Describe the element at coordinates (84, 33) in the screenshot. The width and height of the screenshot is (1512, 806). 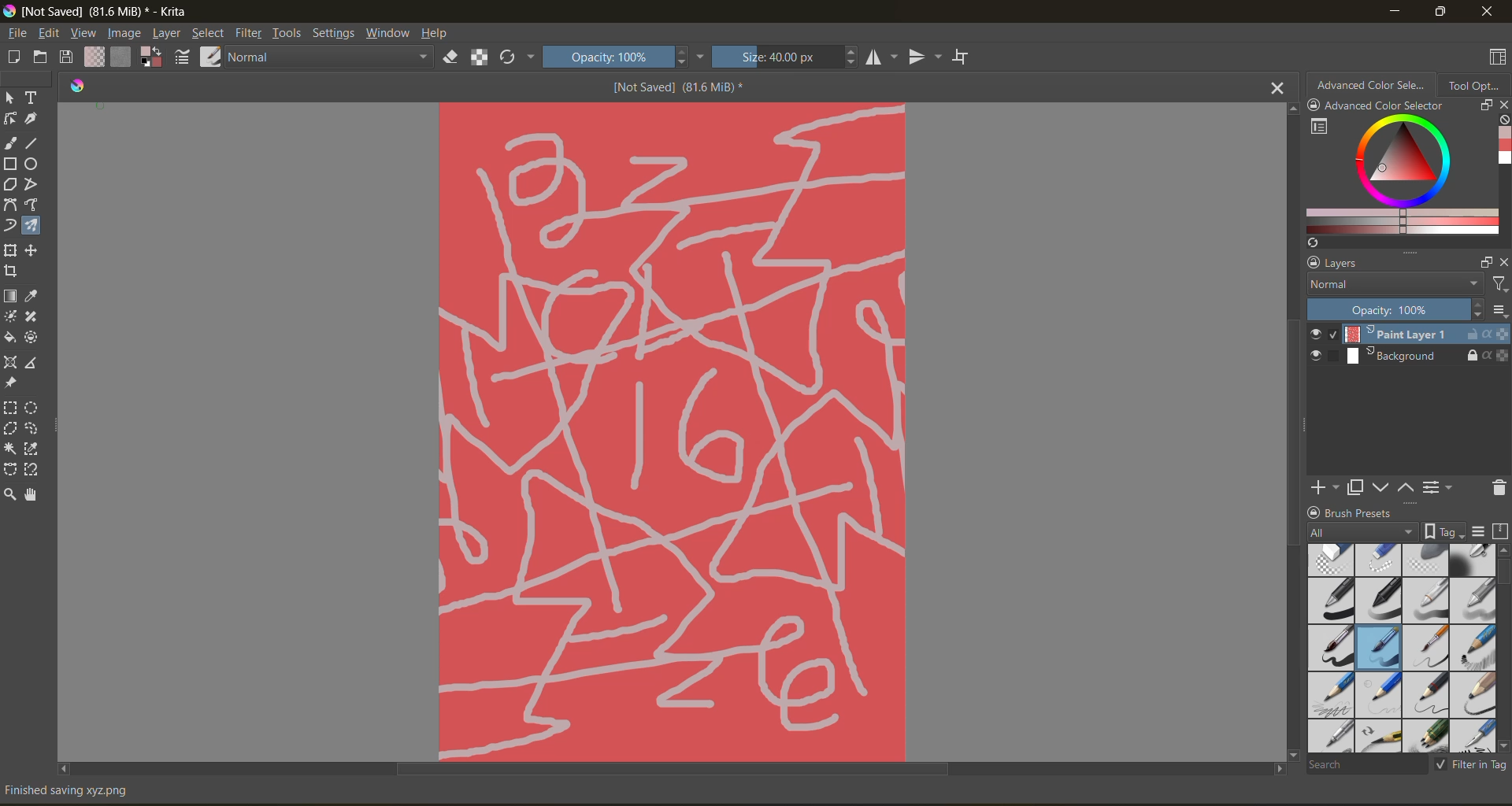
I see `view` at that location.